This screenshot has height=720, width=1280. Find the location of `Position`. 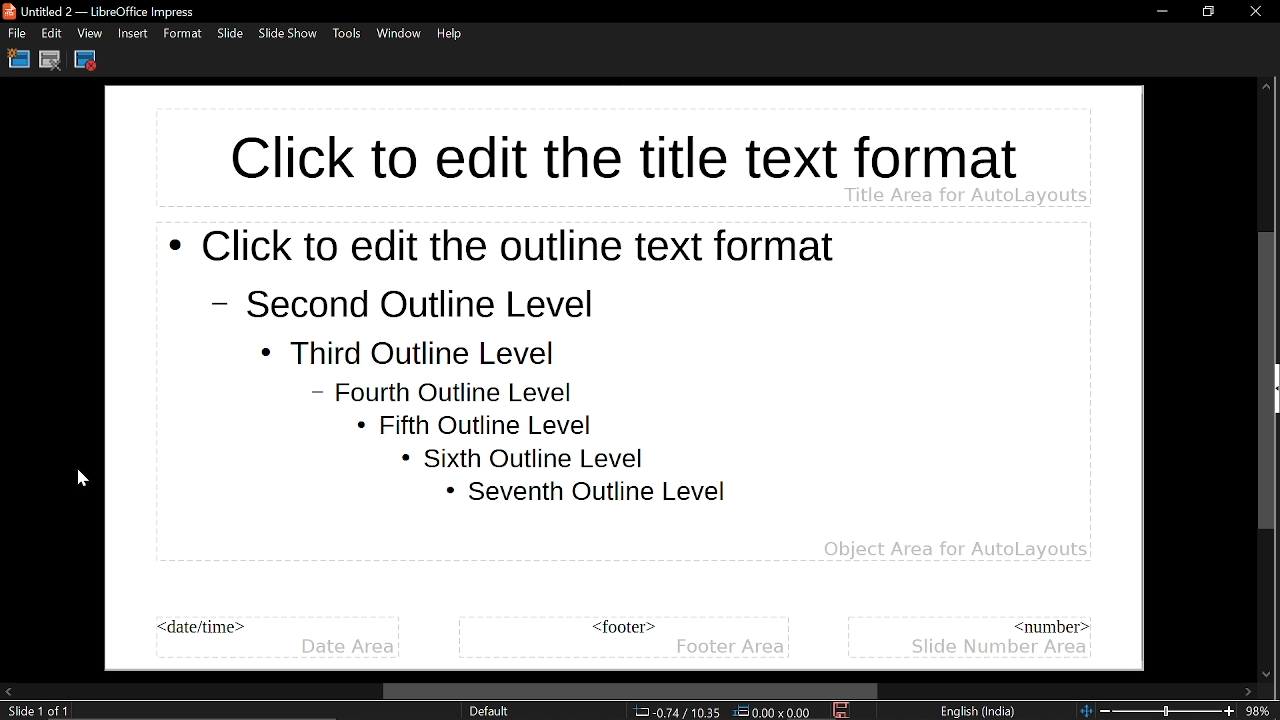

Position is located at coordinates (675, 712).